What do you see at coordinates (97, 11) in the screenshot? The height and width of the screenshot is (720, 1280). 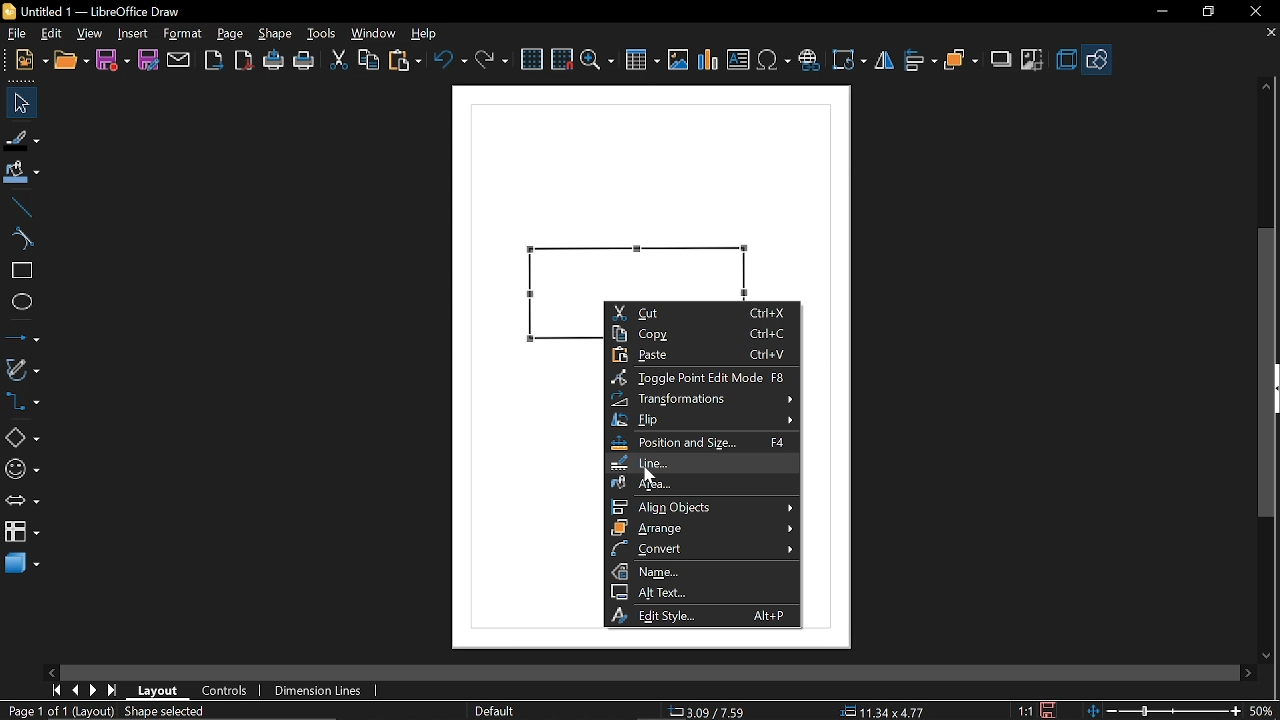 I see `Untitled 1 - LibreOffice Draw` at bounding box center [97, 11].